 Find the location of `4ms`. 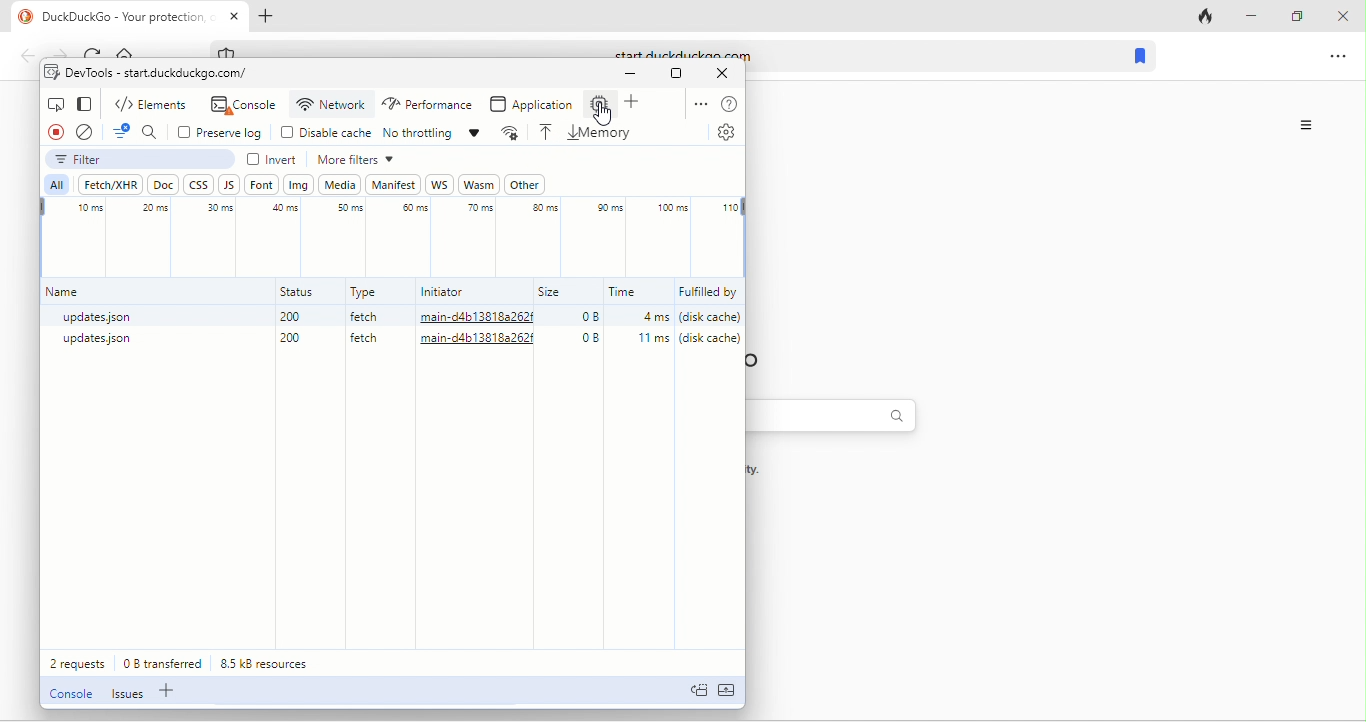

4ms is located at coordinates (649, 318).